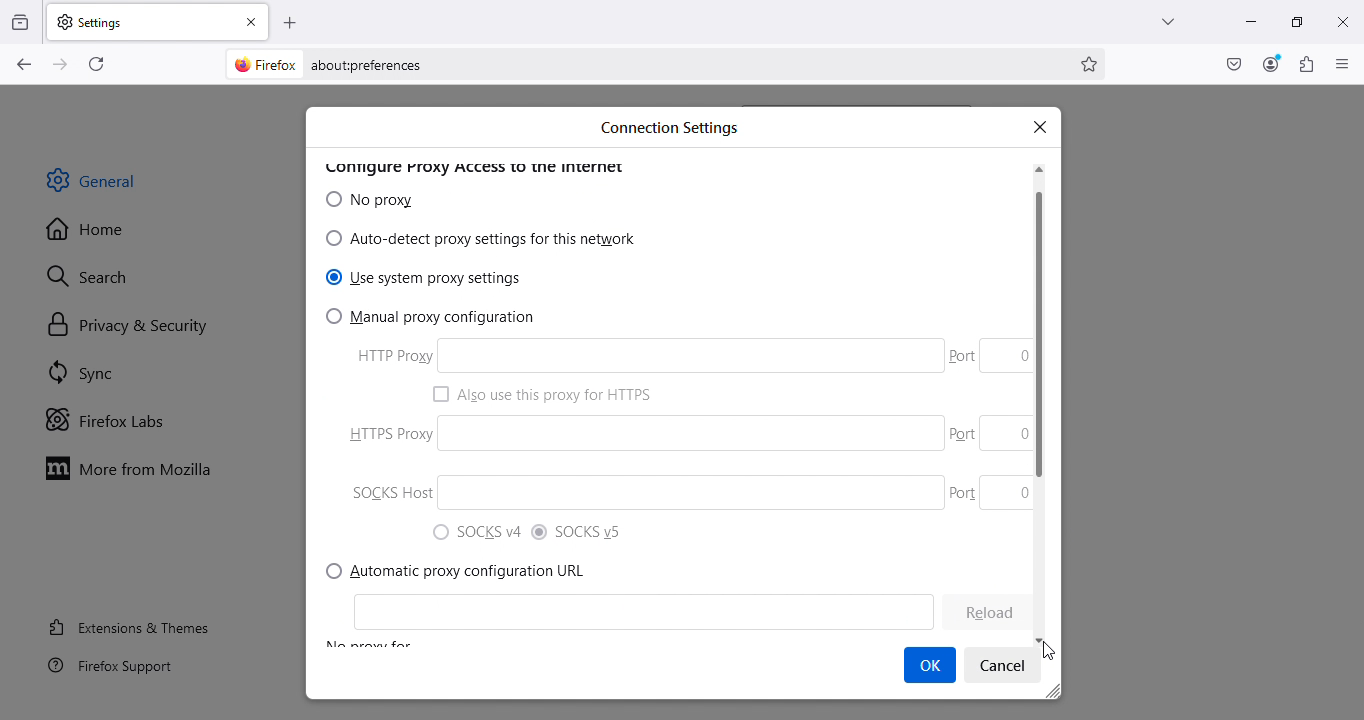  Describe the element at coordinates (974, 610) in the screenshot. I see `learn more` at that location.